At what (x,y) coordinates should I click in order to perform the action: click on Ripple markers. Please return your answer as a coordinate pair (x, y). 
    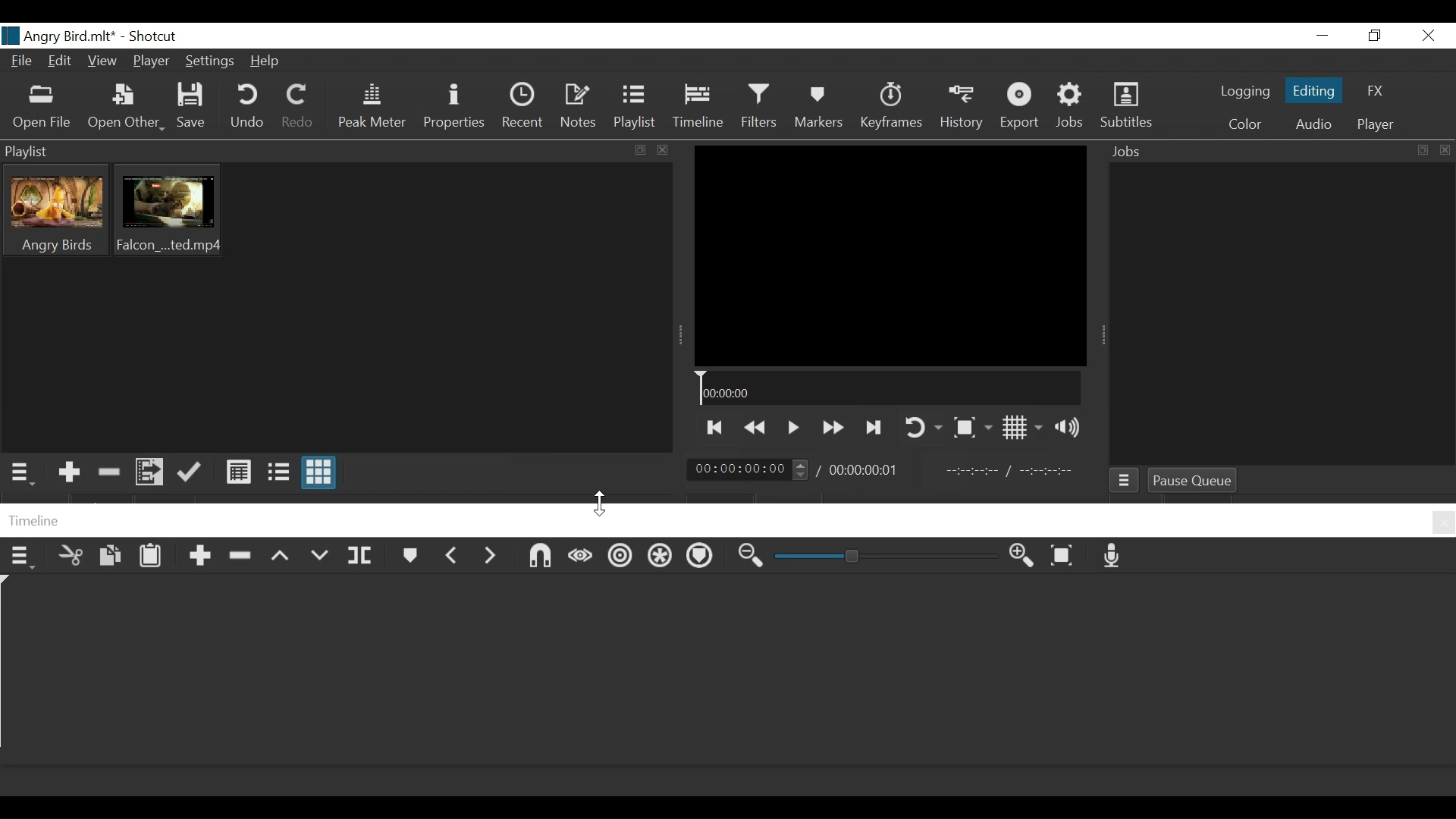
    Looking at the image, I should click on (704, 557).